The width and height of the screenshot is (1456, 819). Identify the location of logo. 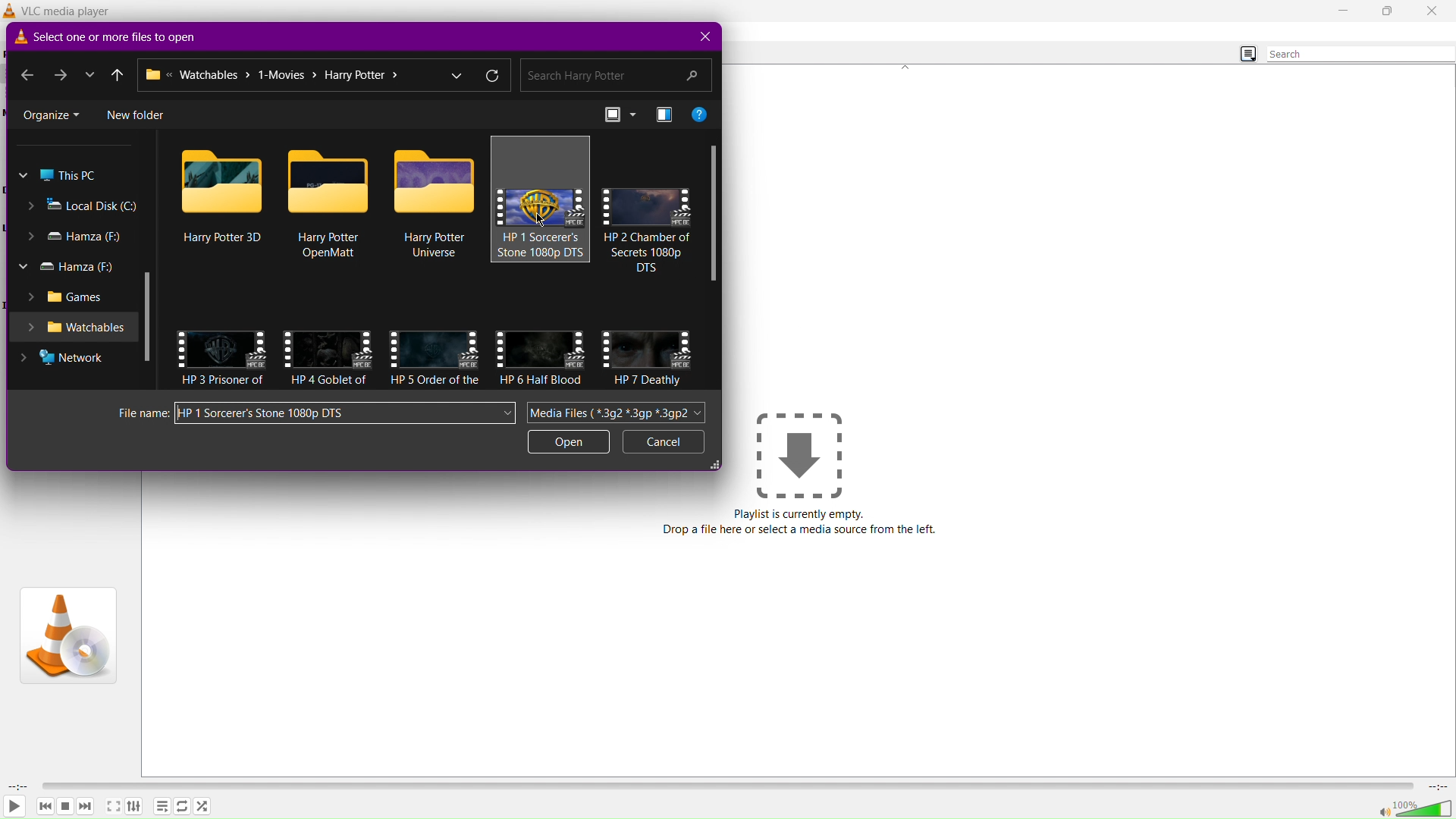
(11, 11).